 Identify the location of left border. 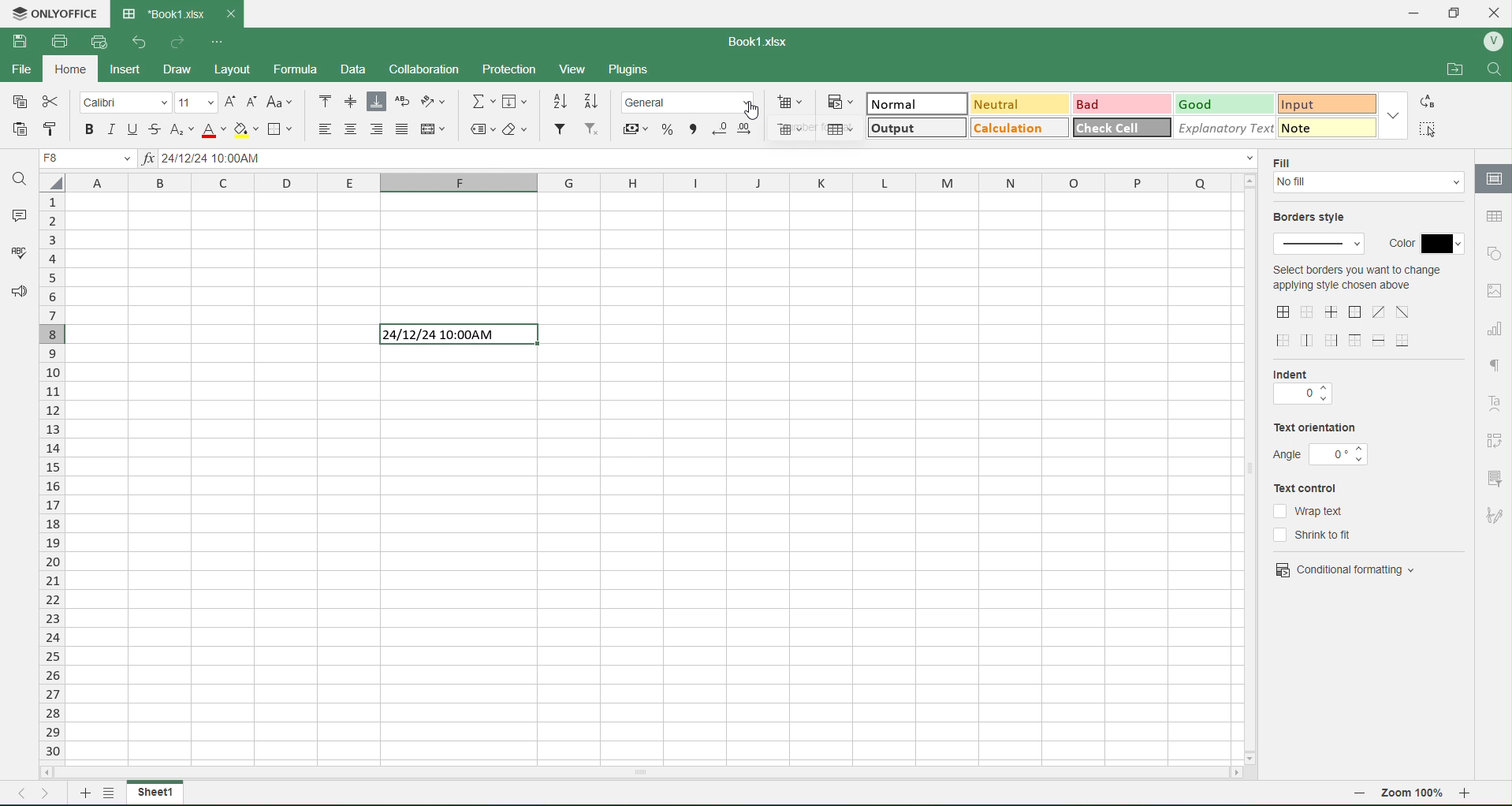
(1285, 341).